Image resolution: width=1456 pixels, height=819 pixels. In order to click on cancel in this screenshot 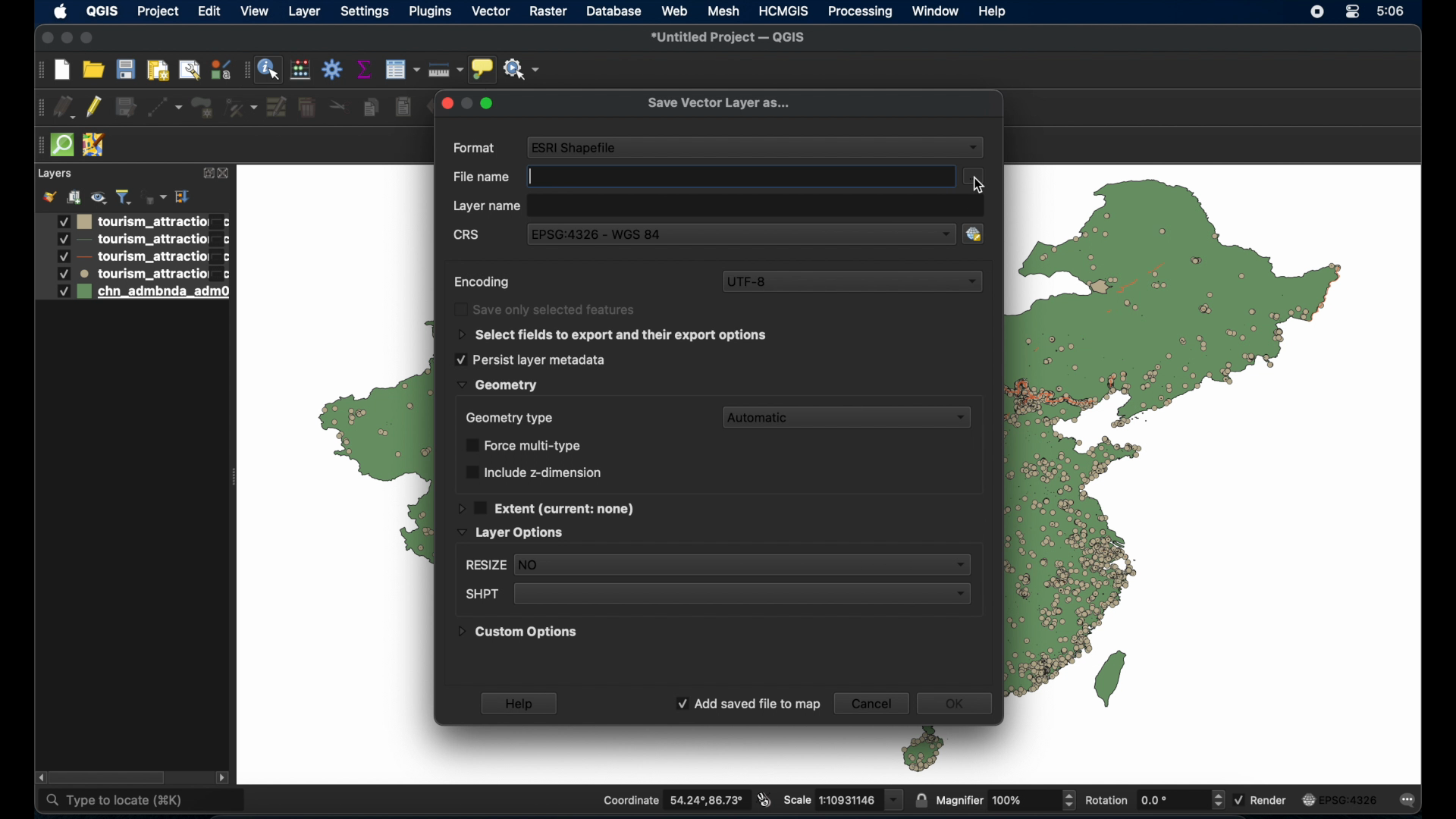, I will do `click(871, 703)`.